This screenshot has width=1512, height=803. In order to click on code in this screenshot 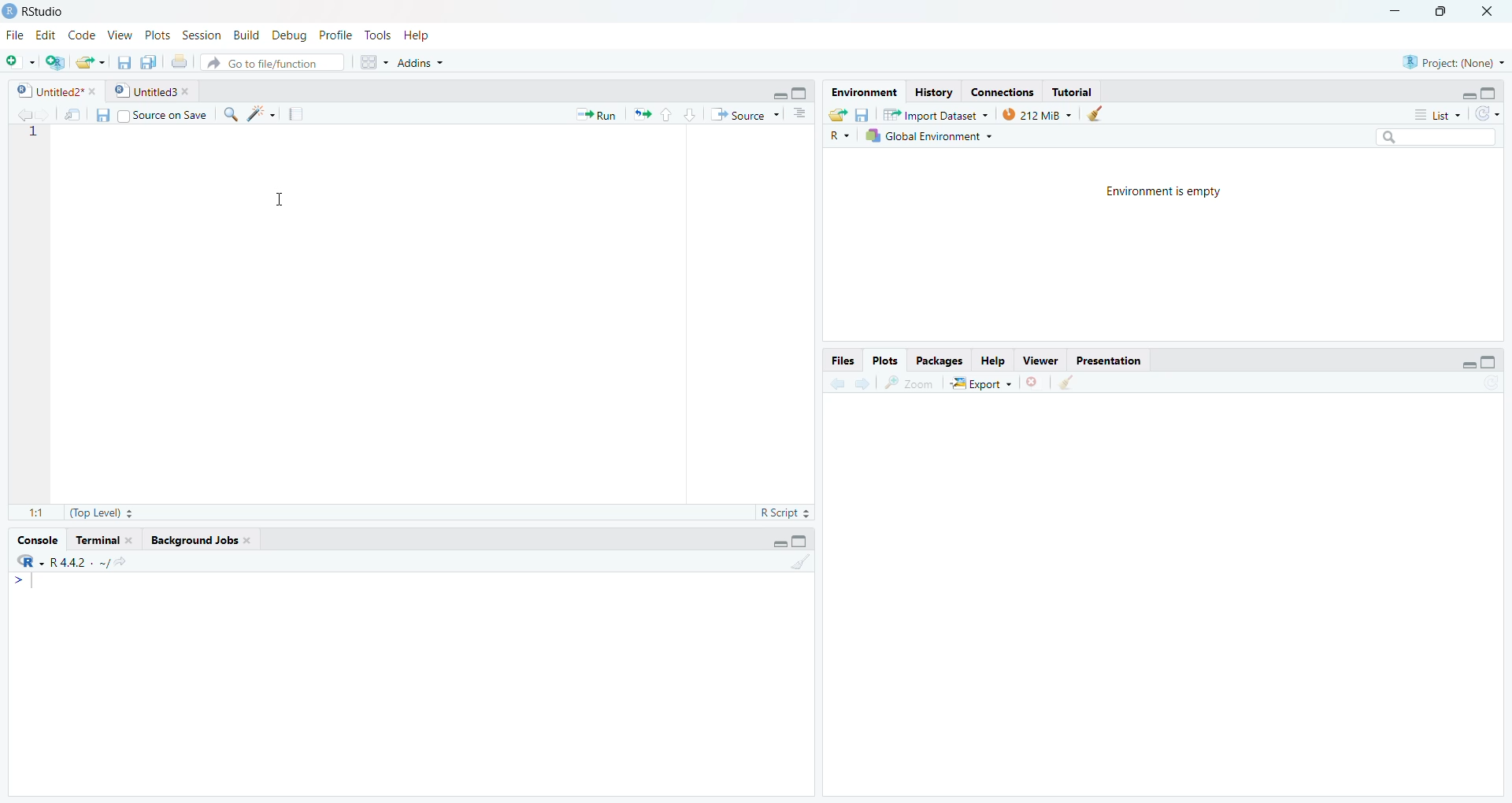, I will do `click(80, 35)`.